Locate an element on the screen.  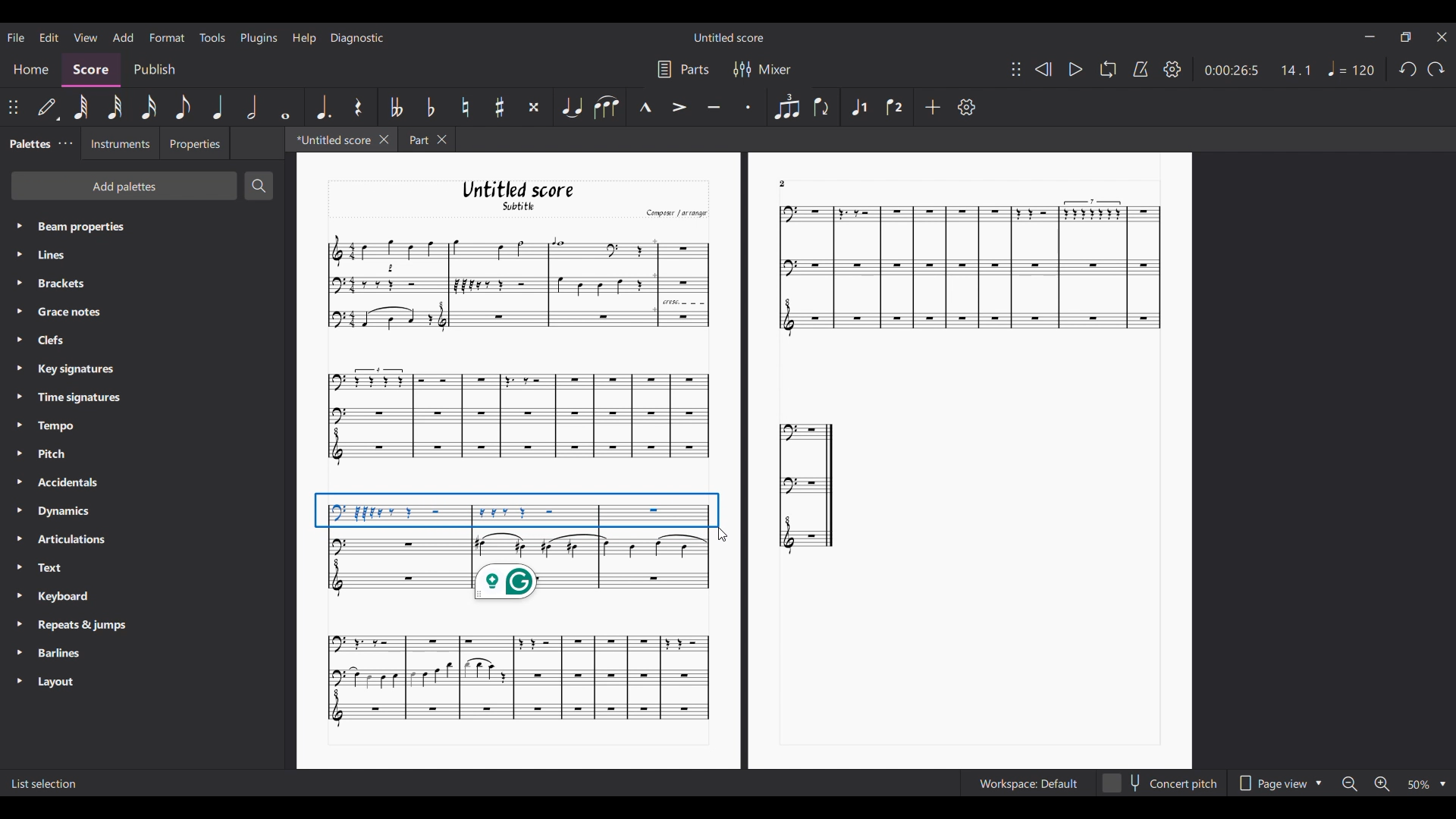
Tenuto is located at coordinates (713, 108).